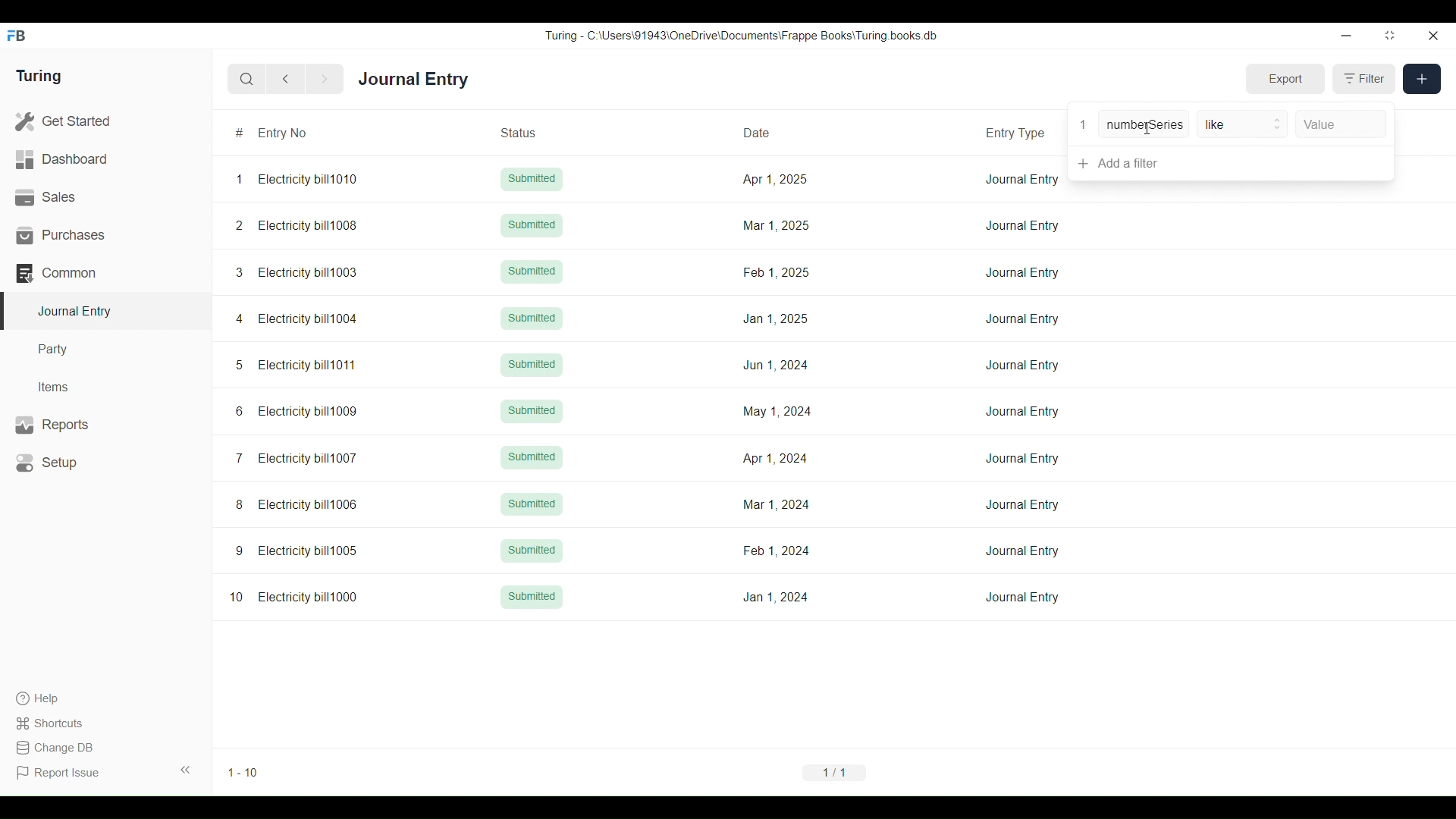 This screenshot has height=819, width=1456. What do you see at coordinates (296, 458) in the screenshot?
I see `7 Electricity bill1007` at bounding box center [296, 458].